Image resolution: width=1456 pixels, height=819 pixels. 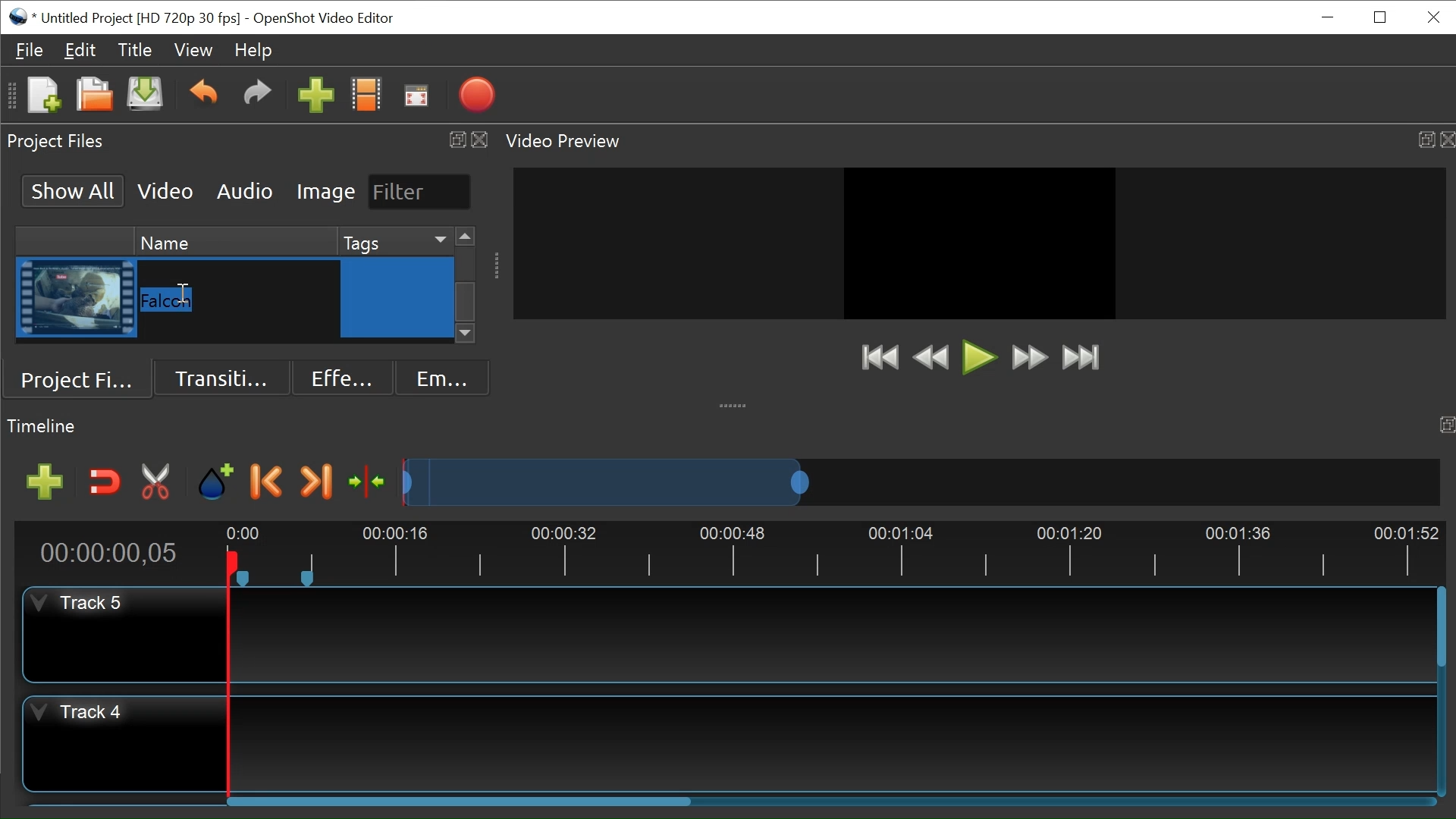 I want to click on Vertical Scroll bar, so click(x=1439, y=629).